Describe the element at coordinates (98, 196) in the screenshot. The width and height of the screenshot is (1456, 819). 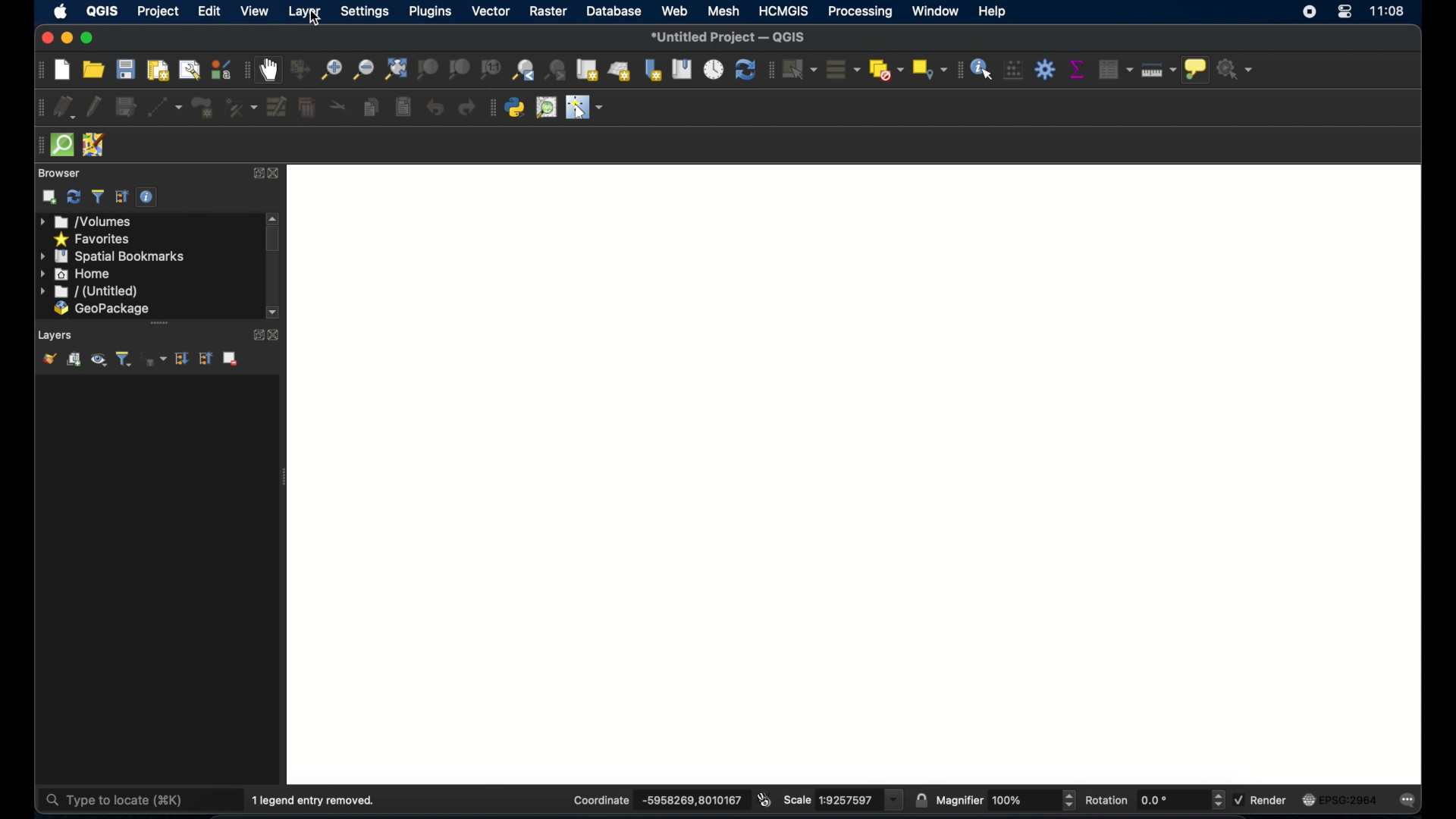
I see `filter browser` at that location.